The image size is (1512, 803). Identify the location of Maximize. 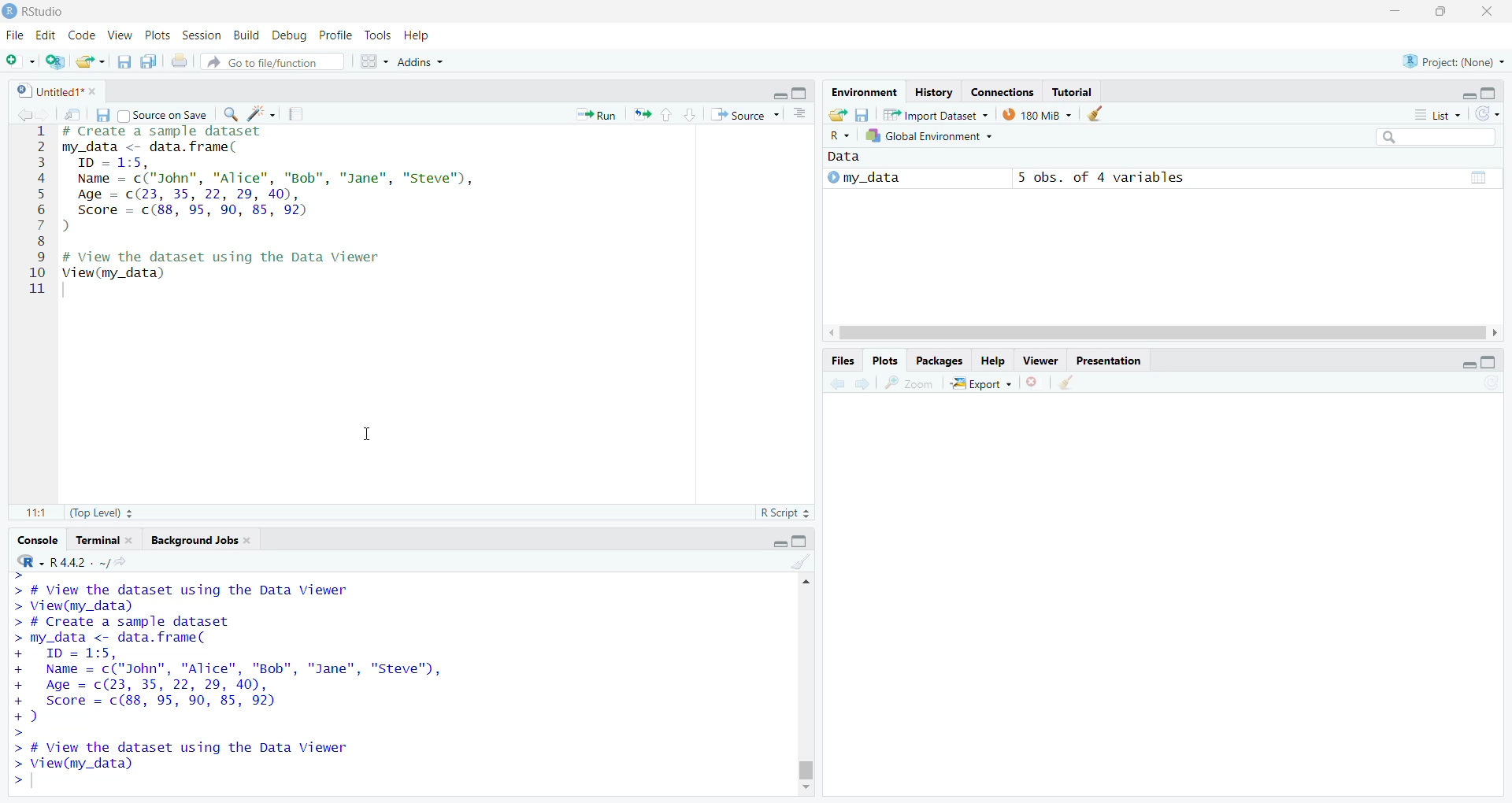
(799, 542).